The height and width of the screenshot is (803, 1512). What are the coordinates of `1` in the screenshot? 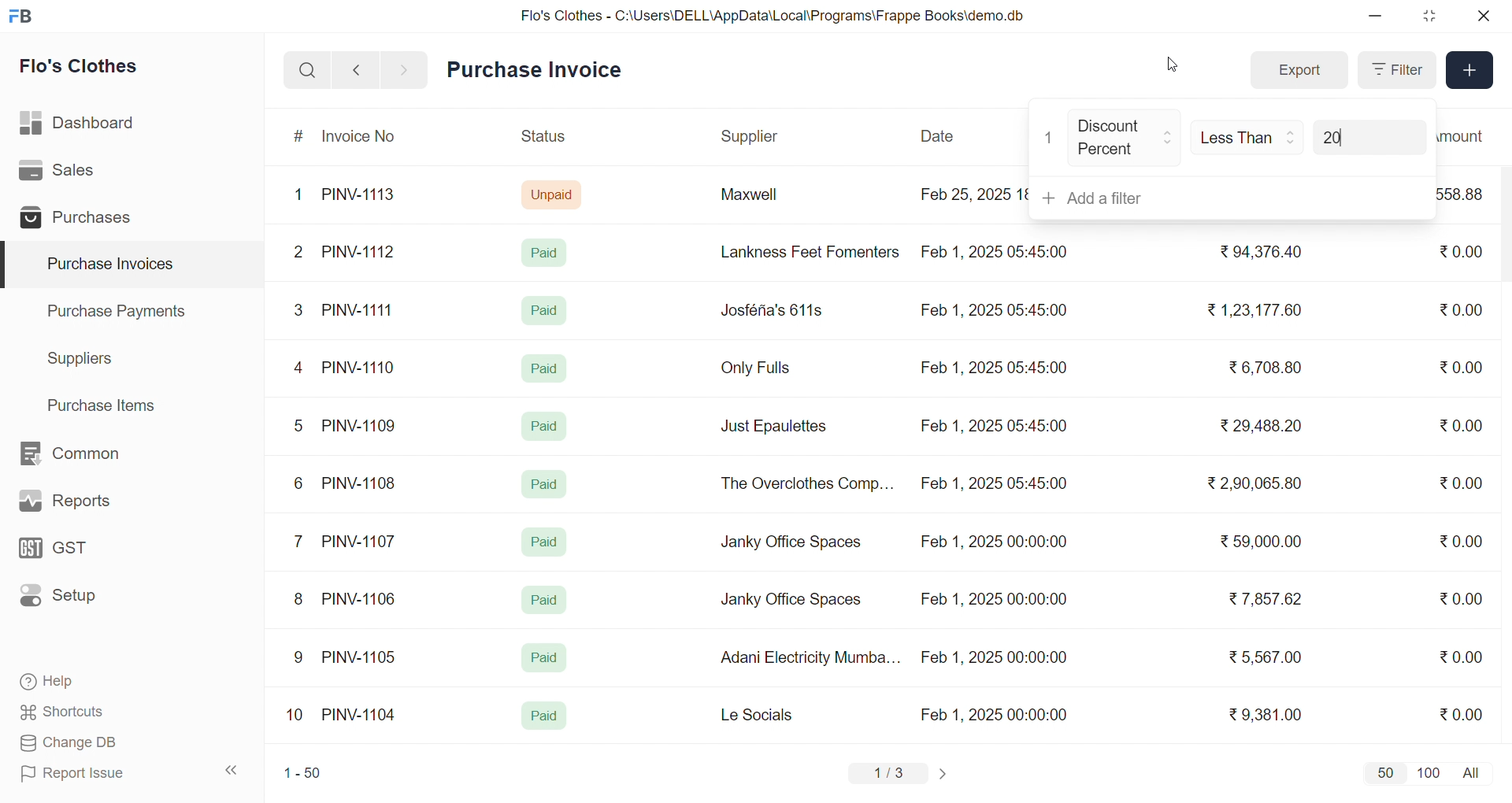 It's located at (1048, 135).